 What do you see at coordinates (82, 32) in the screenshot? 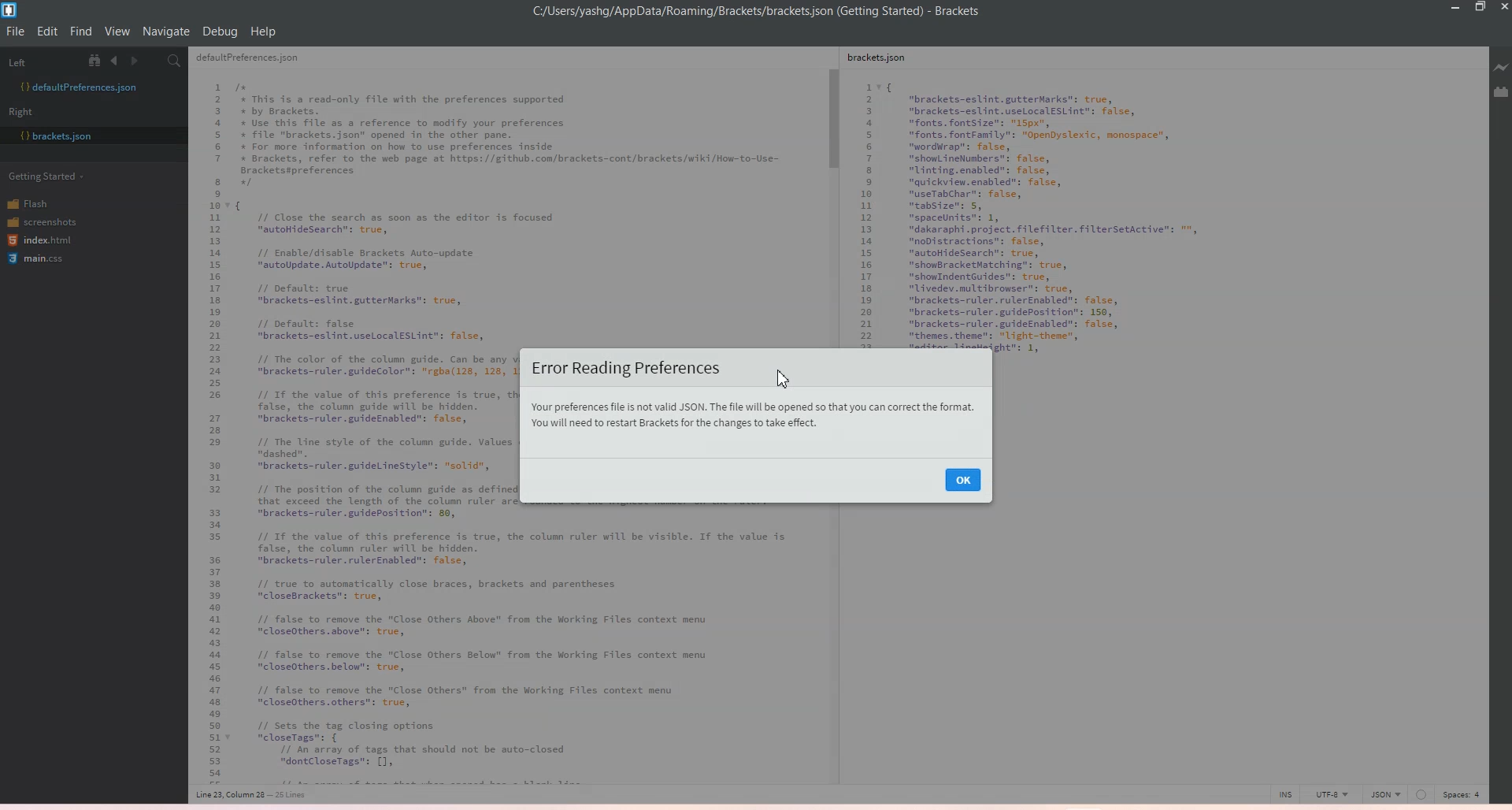
I see `Find` at bounding box center [82, 32].